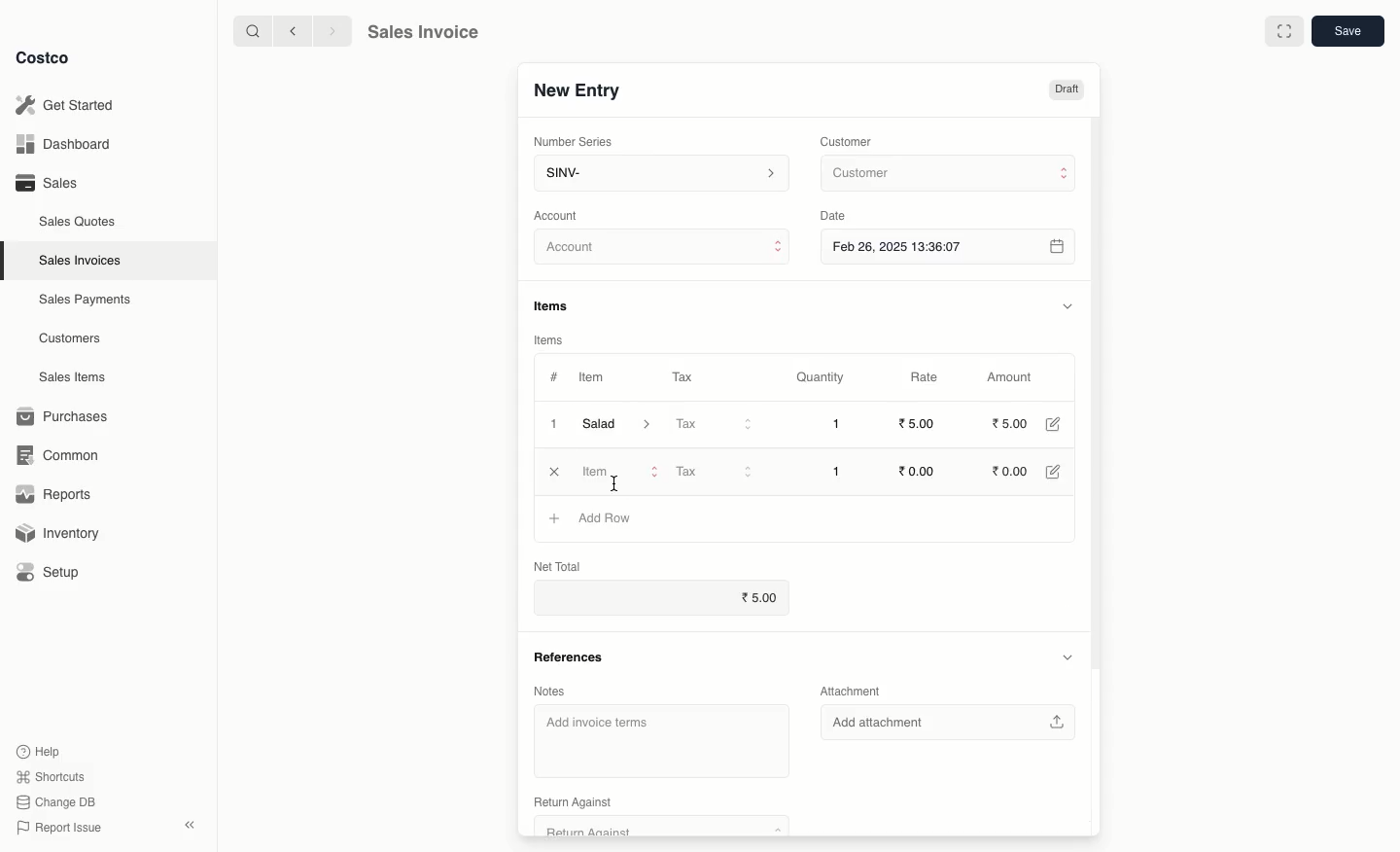  What do you see at coordinates (560, 215) in the screenshot?
I see `‘Account` at bounding box center [560, 215].